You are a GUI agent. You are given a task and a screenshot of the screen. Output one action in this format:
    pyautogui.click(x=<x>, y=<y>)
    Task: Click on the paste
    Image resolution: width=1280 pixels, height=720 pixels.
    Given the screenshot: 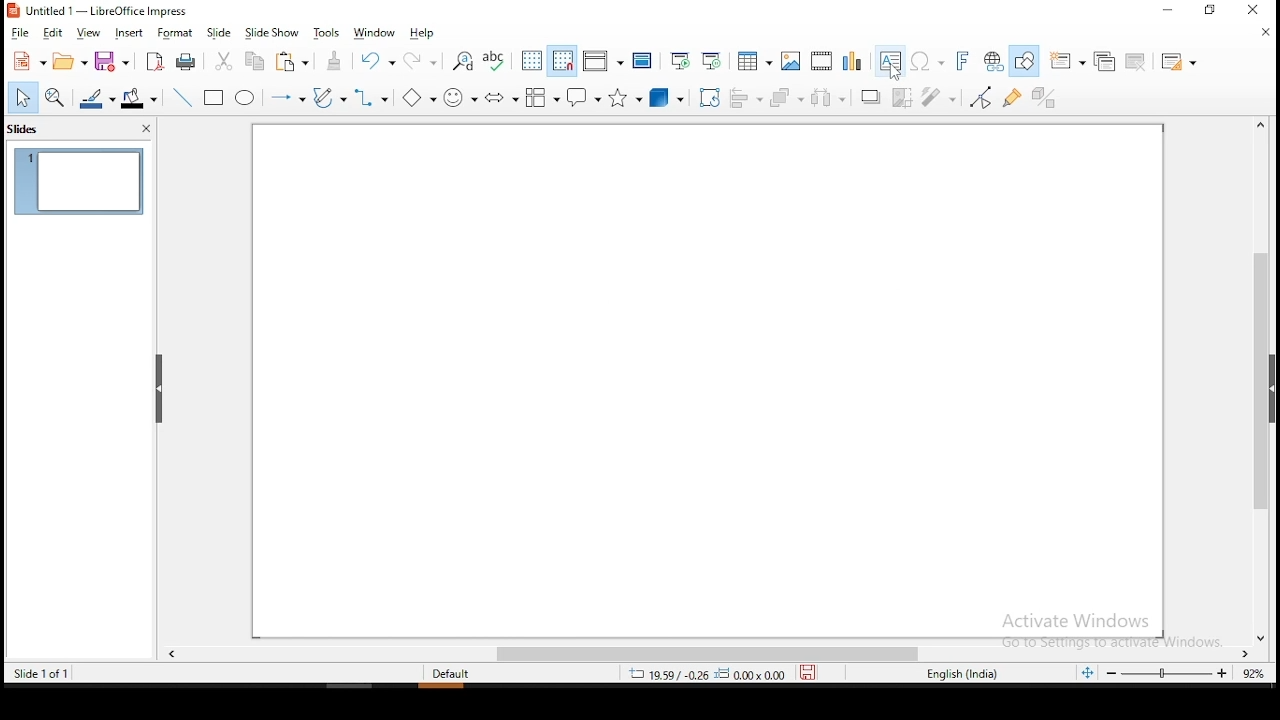 What is the action you would take?
    pyautogui.click(x=298, y=63)
    